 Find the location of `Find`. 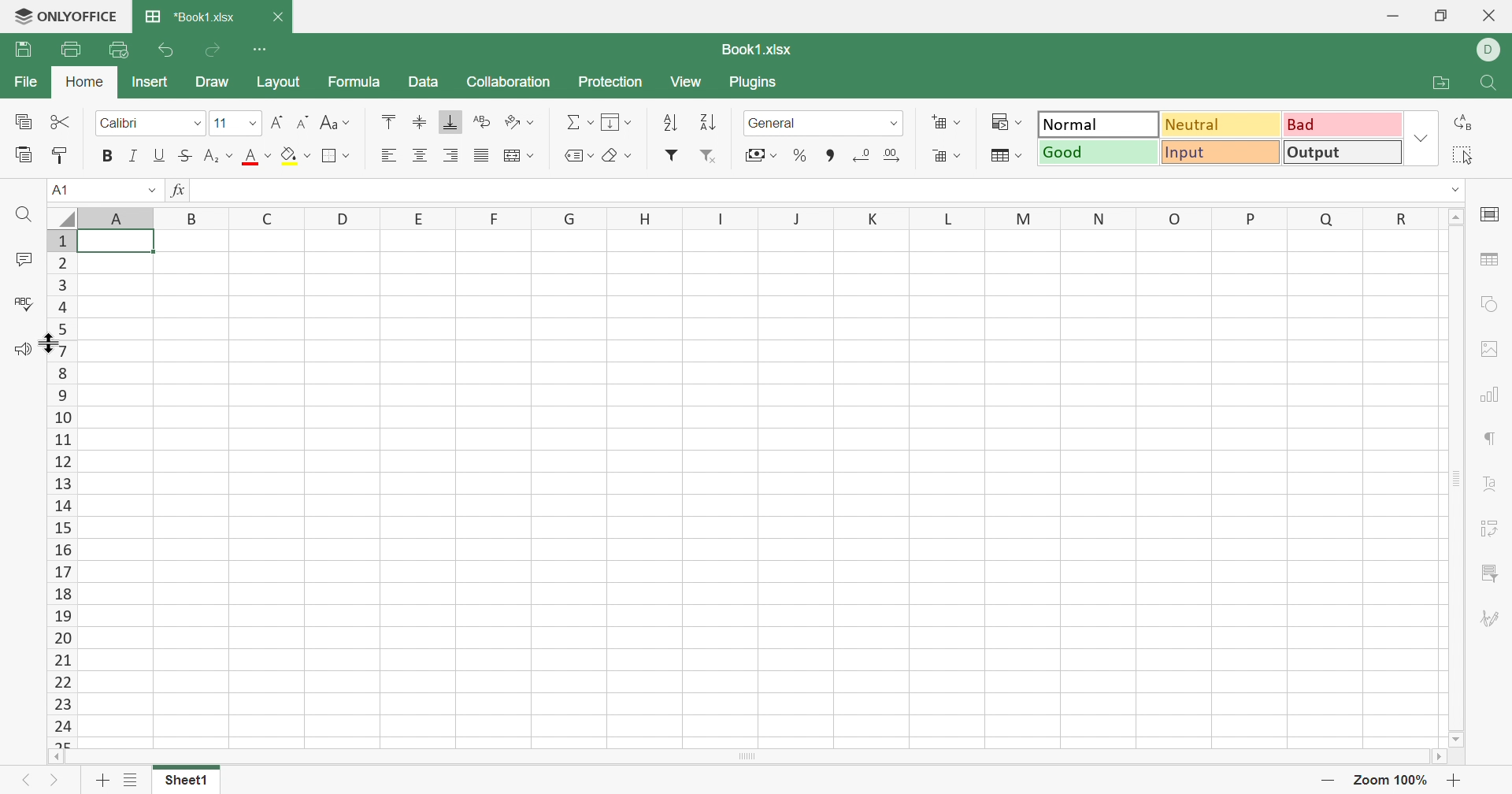

Find is located at coordinates (25, 217).